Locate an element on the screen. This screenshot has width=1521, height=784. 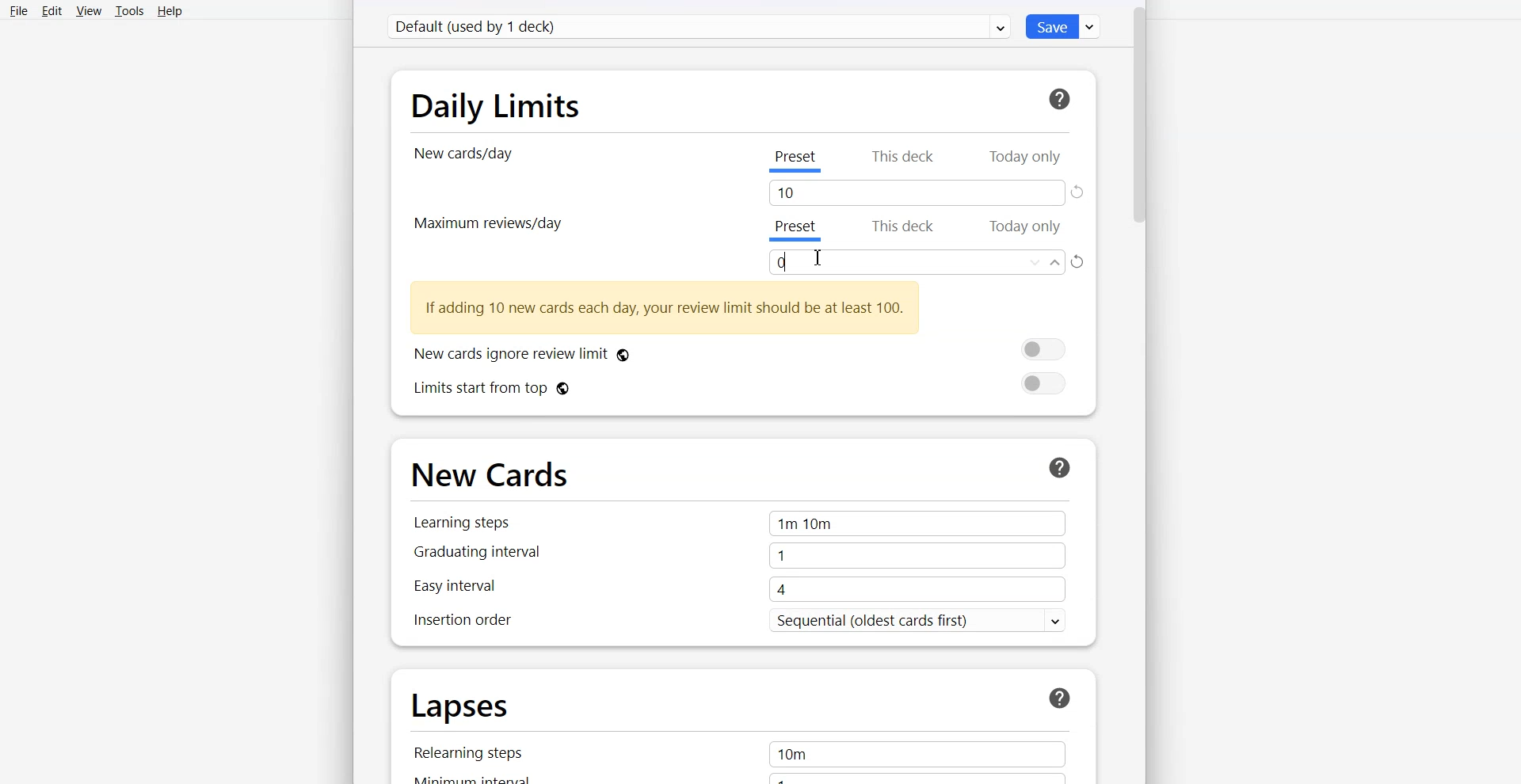
Tab is located at coordinates (917, 193).